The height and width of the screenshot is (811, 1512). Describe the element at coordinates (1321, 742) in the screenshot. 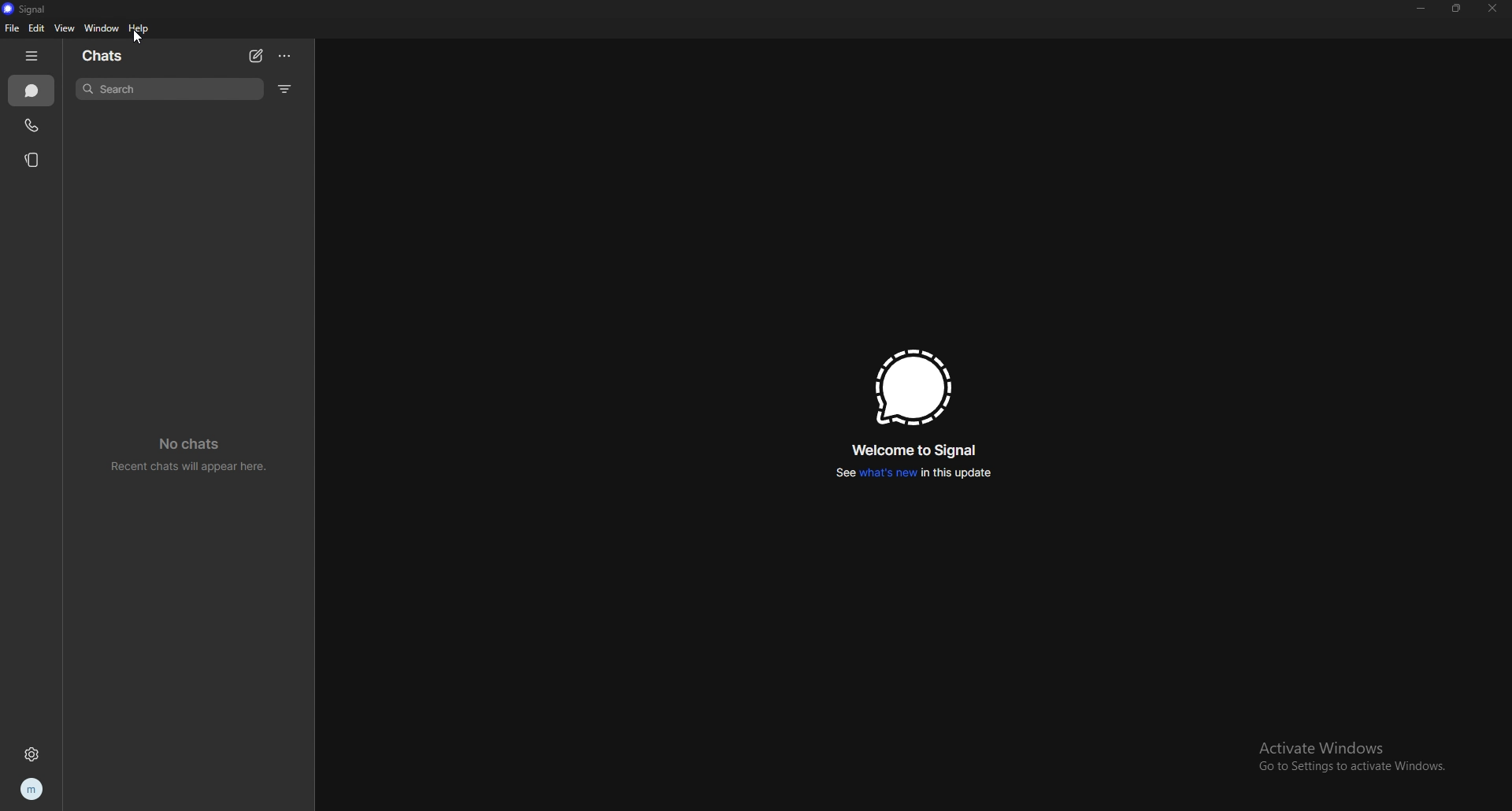

I see `Activate Windows` at that location.